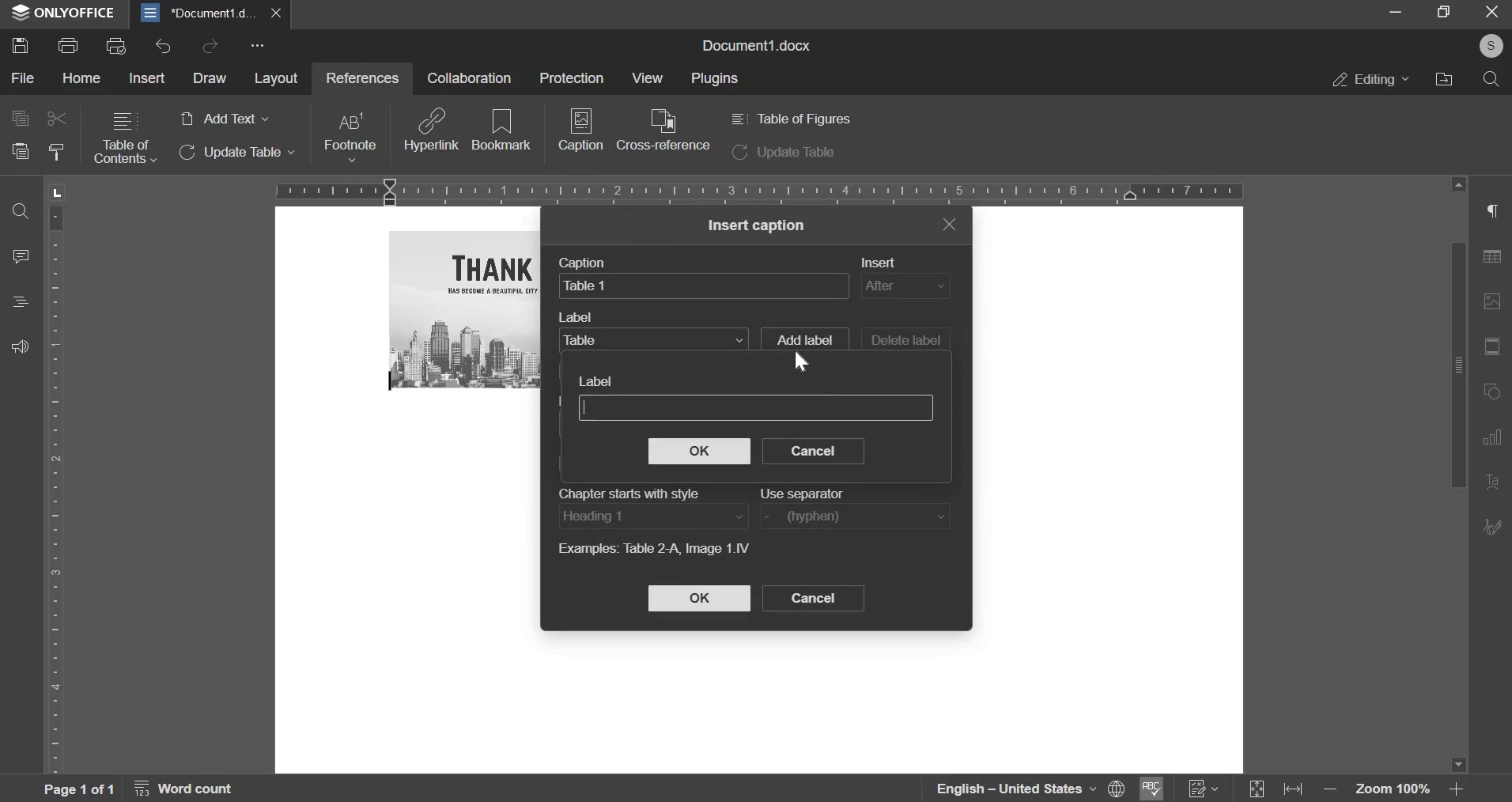 The height and width of the screenshot is (802, 1512). What do you see at coordinates (803, 494) in the screenshot?
I see `Use separator` at bounding box center [803, 494].